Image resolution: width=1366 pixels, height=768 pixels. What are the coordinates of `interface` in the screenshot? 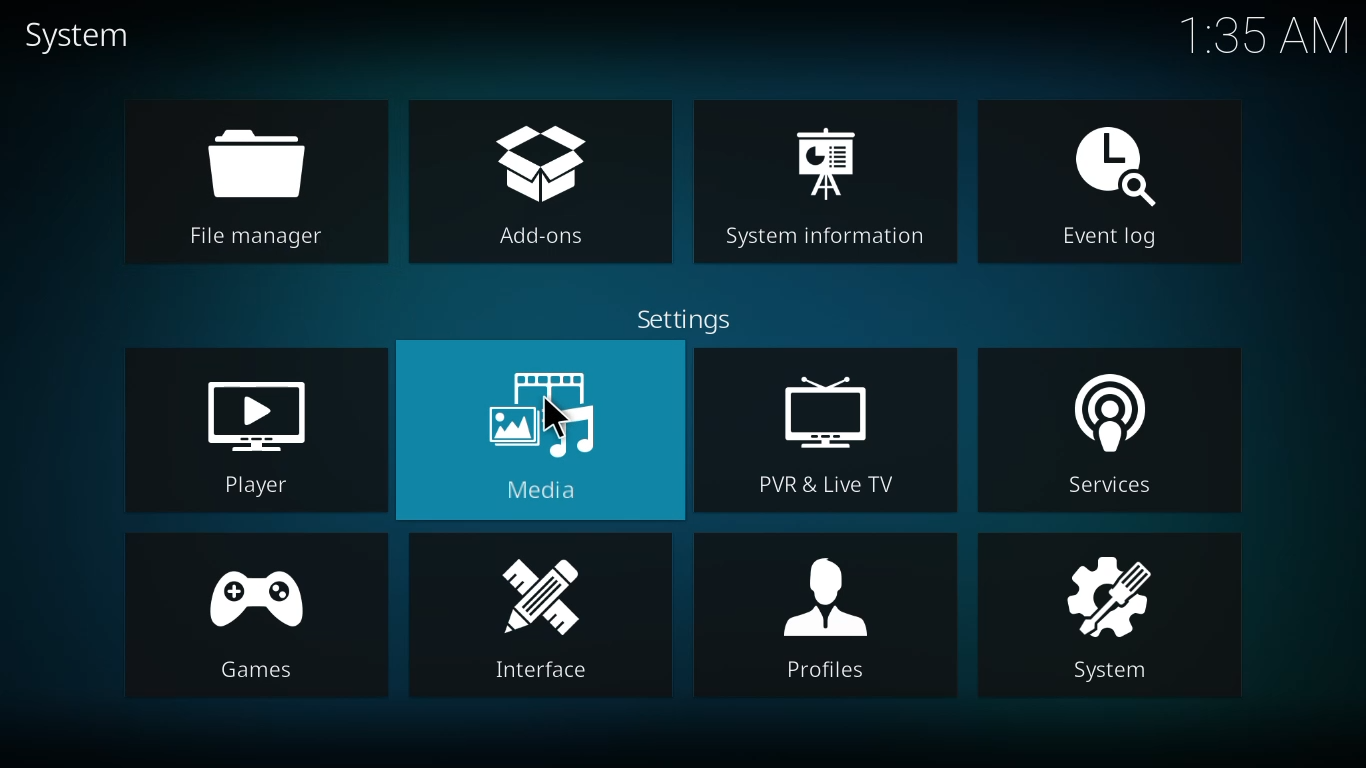 It's located at (531, 619).